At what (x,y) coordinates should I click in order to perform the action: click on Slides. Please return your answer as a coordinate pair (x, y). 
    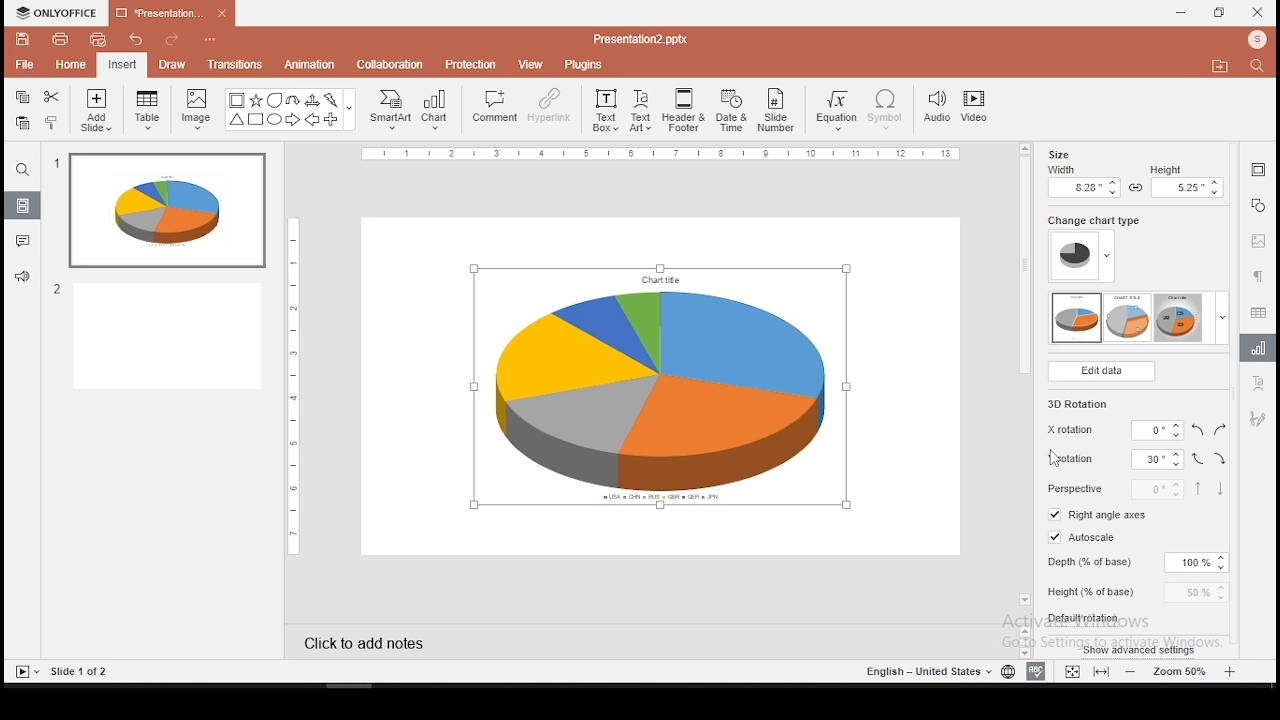
    Looking at the image, I should click on (62, 672).